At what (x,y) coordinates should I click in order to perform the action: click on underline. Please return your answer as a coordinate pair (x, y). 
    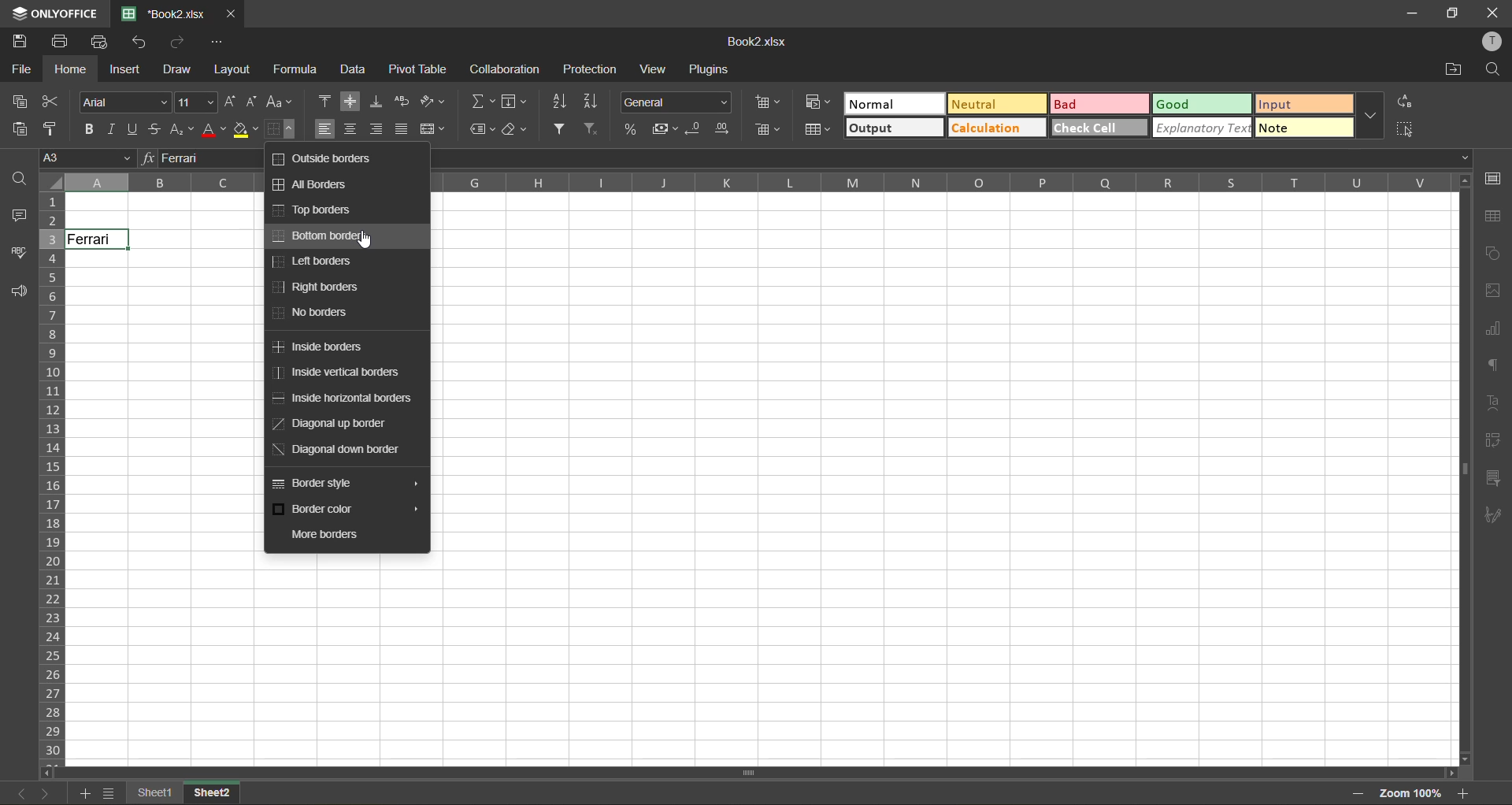
    Looking at the image, I should click on (135, 132).